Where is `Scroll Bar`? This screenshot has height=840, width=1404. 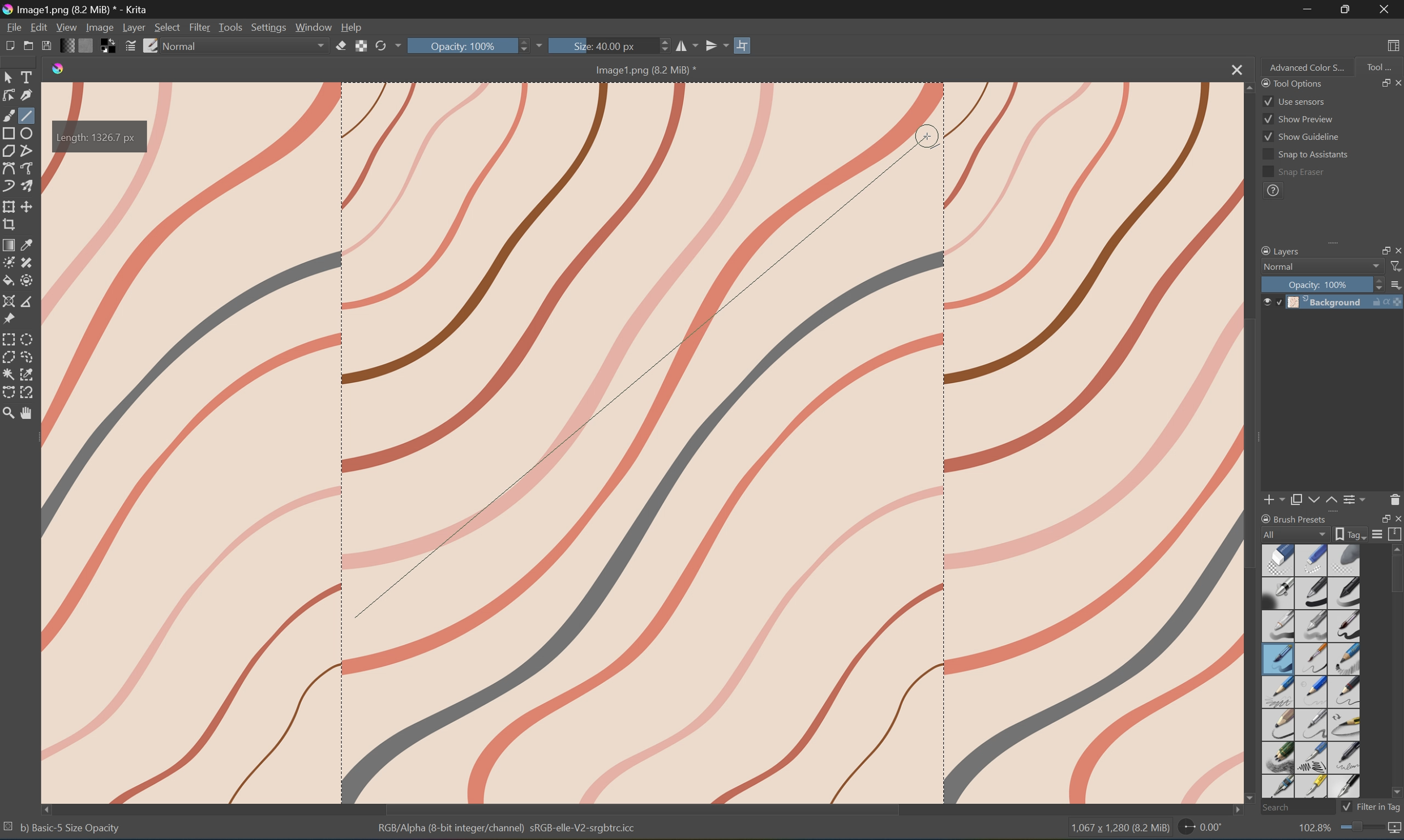
Scroll Bar is located at coordinates (1395, 576).